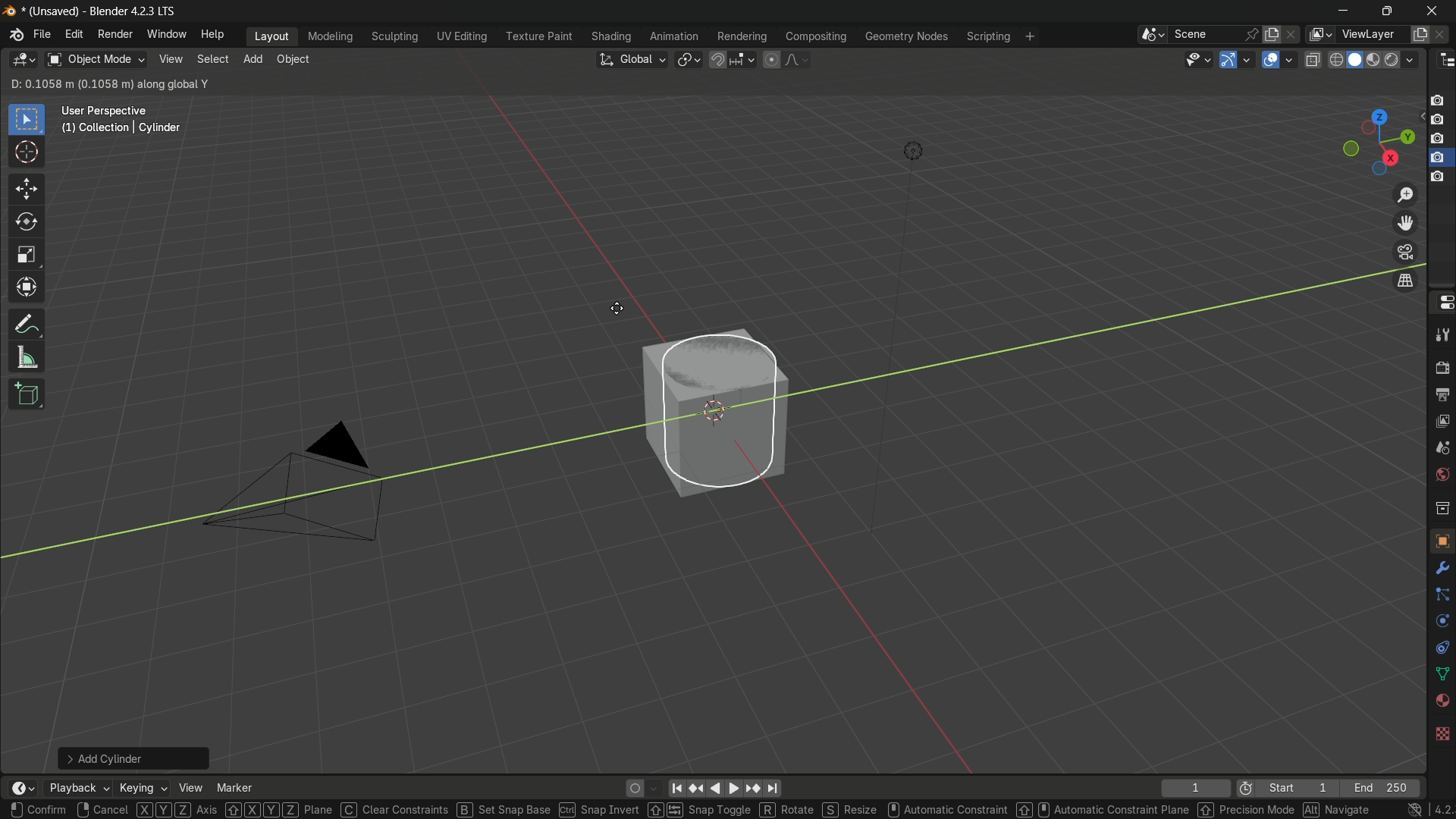  What do you see at coordinates (1439, 508) in the screenshot?
I see `collection` at bounding box center [1439, 508].